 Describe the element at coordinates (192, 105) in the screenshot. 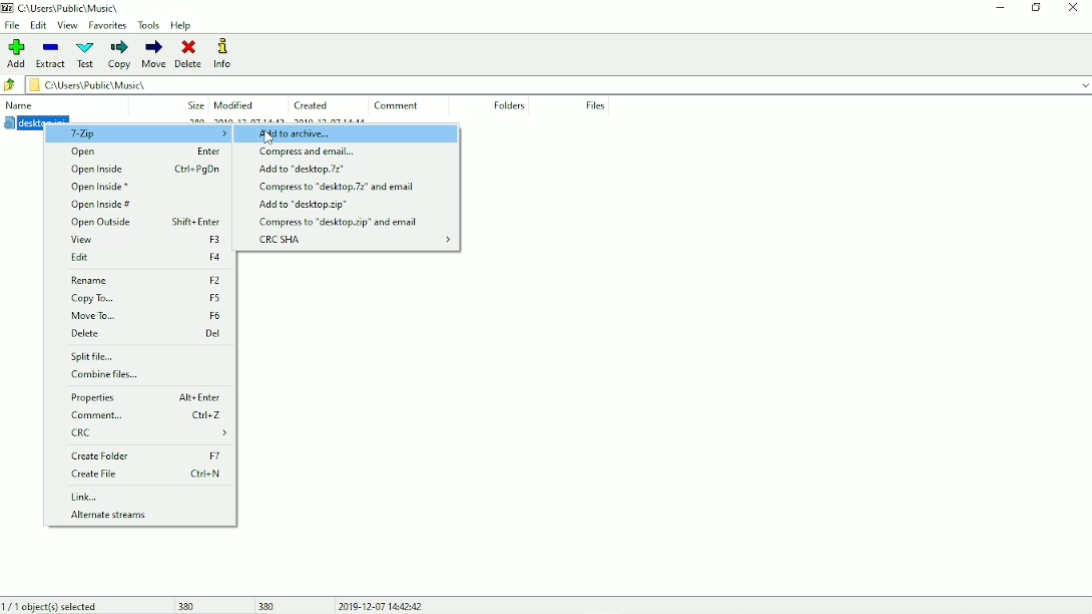

I see `Size` at that location.